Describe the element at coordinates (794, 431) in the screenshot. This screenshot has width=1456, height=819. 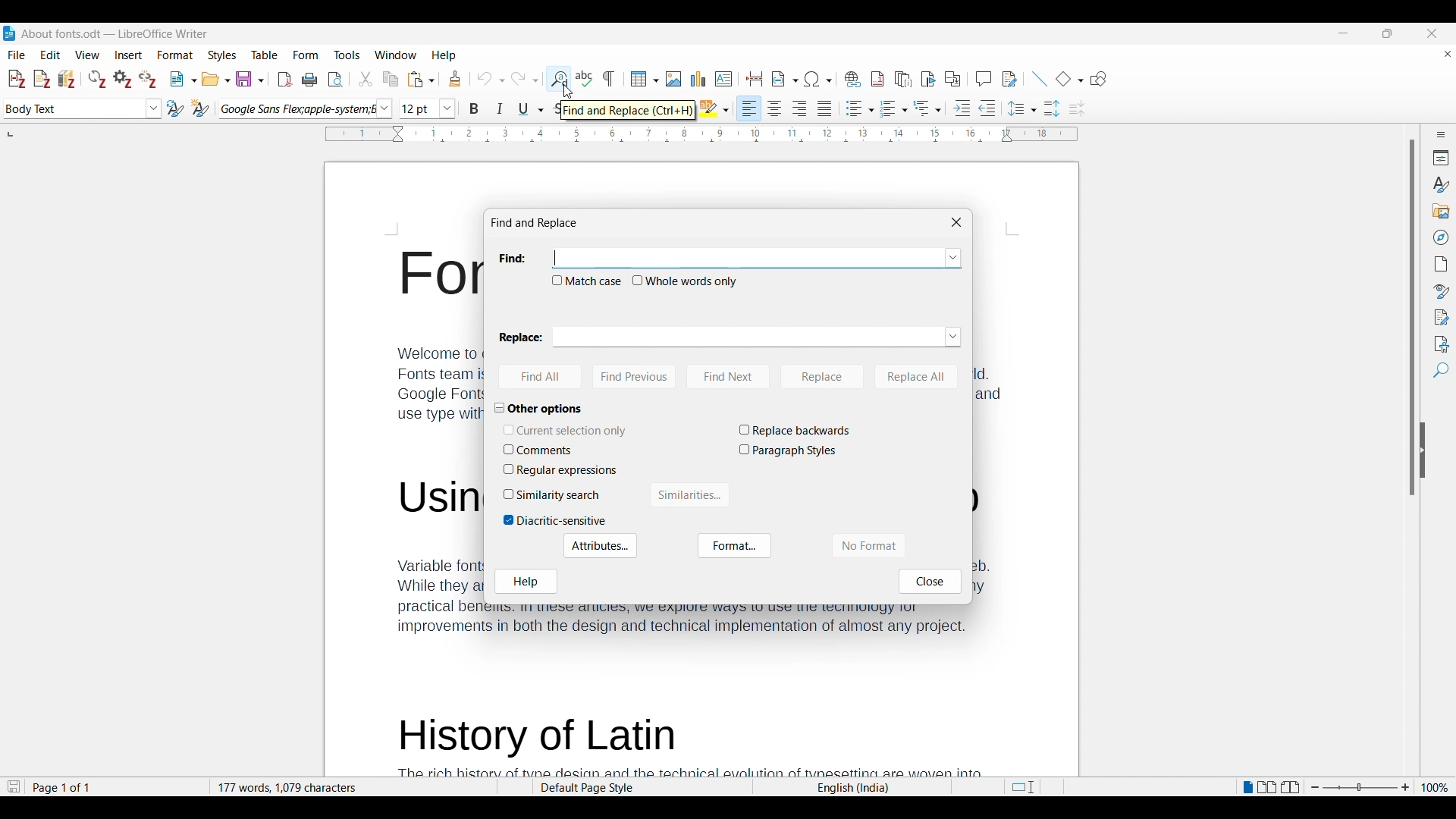
I see `Toggle for Replace backwards` at that location.